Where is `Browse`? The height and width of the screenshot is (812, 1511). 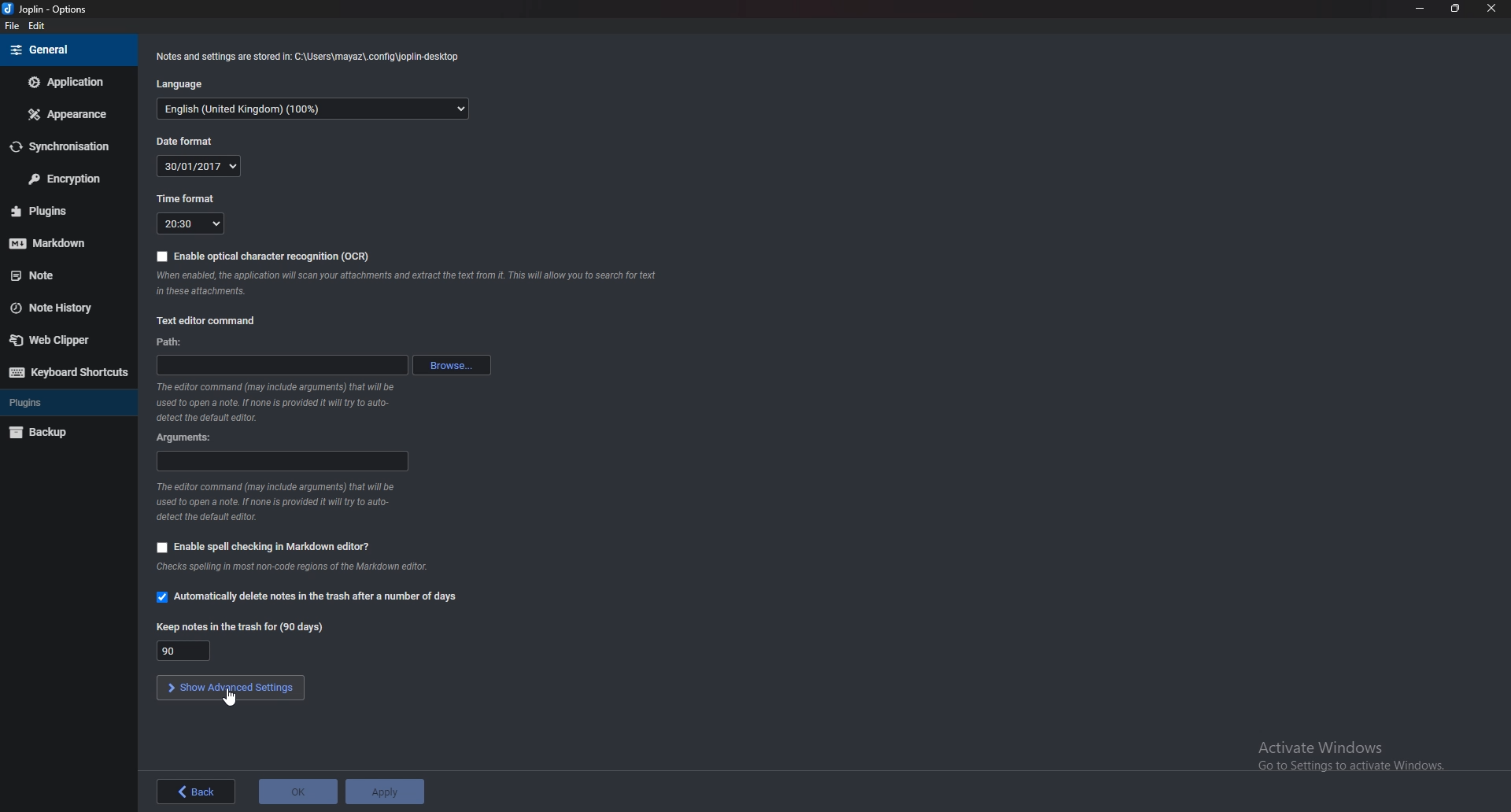
Browse is located at coordinates (451, 364).